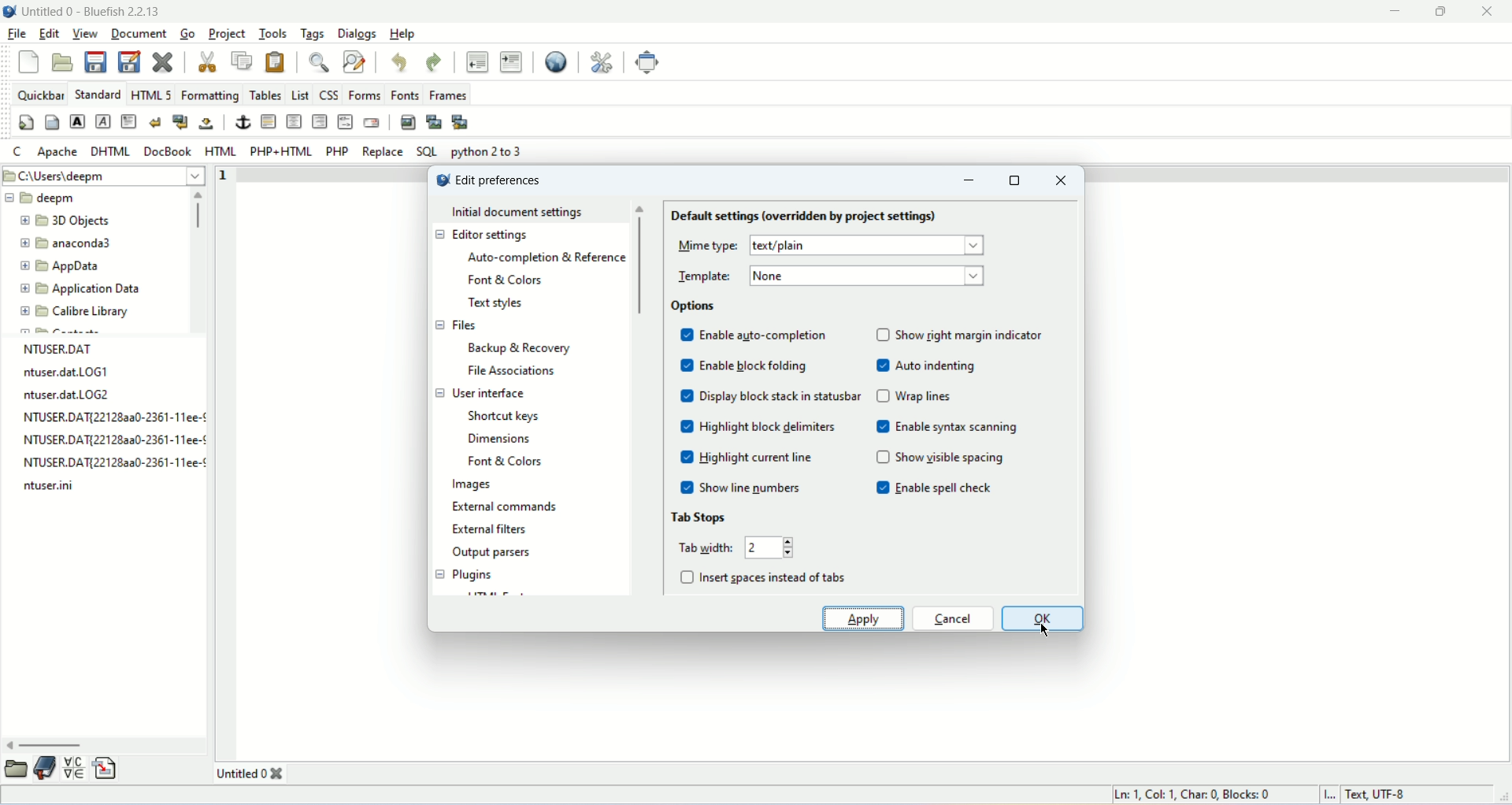 Image resolution: width=1512 pixels, height=805 pixels. Describe the element at coordinates (64, 178) in the screenshot. I see ` C\Users\deepm` at that location.